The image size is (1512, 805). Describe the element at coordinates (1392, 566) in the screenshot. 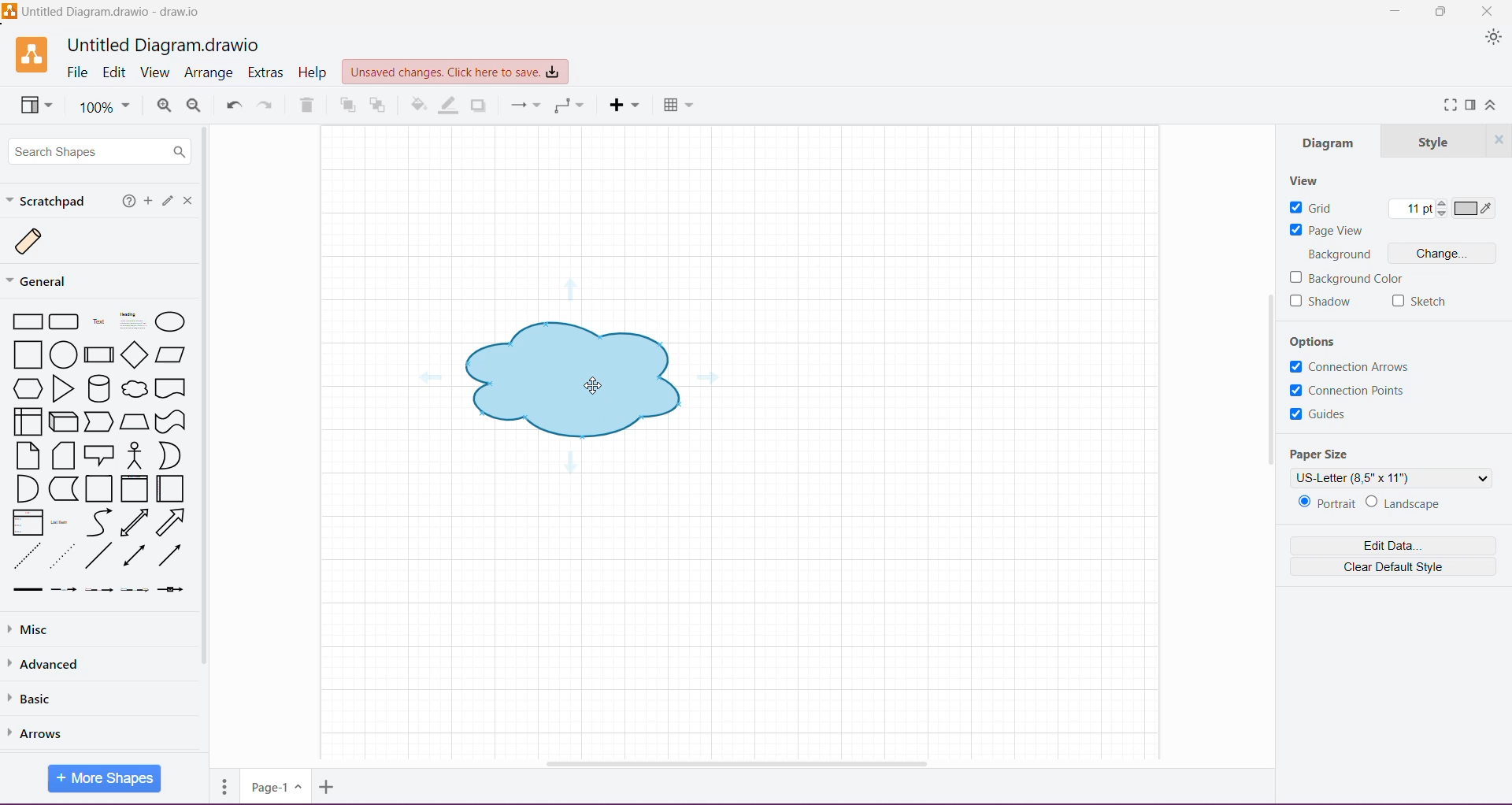

I see `Clear Data Style` at that location.